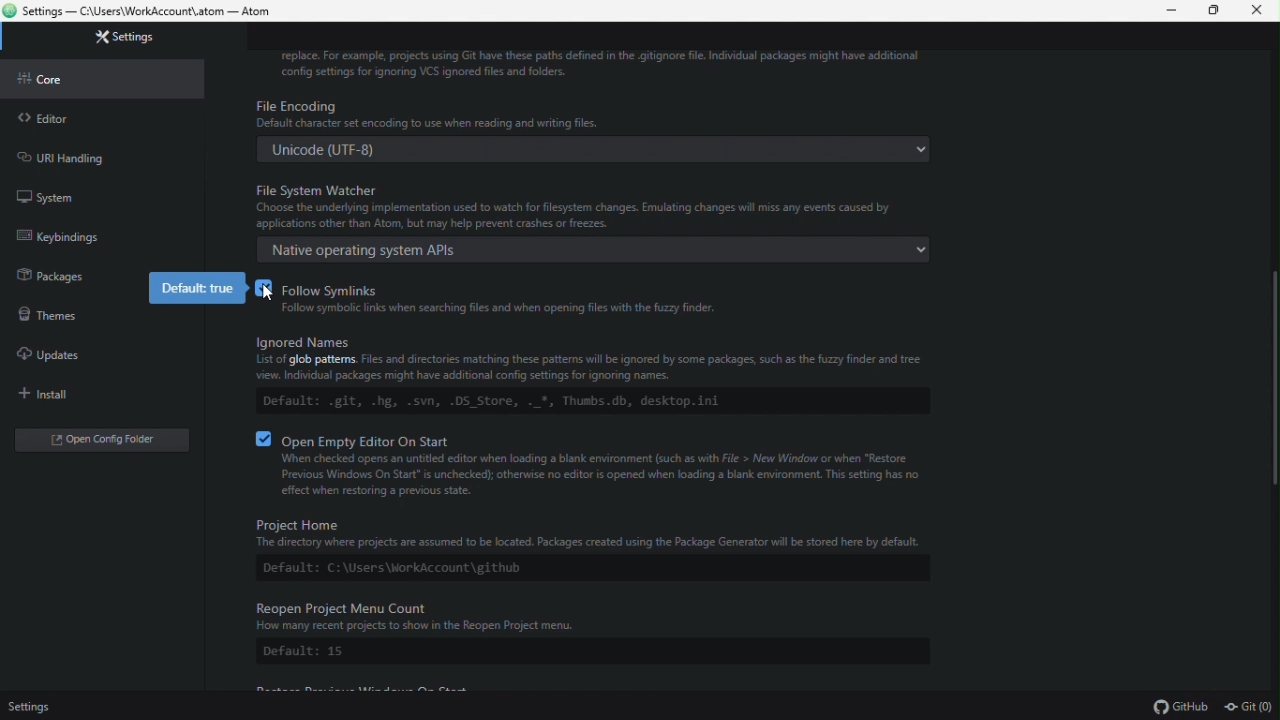 This screenshot has width=1280, height=720. Describe the element at coordinates (592, 632) in the screenshot. I see `Reopen project menu count` at that location.